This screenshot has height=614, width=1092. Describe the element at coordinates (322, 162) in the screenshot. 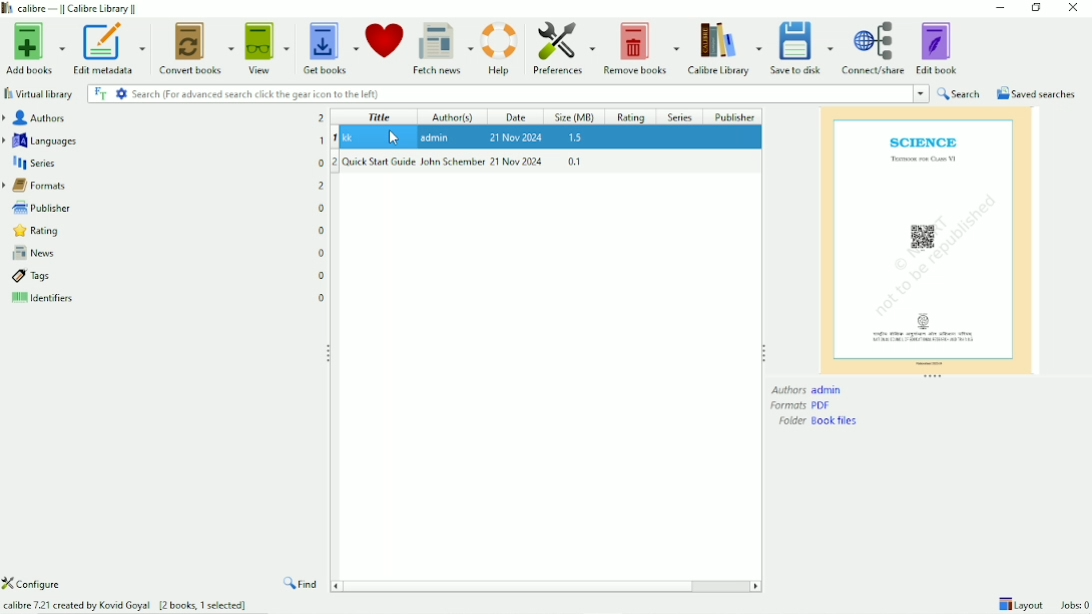

I see `0` at that location.